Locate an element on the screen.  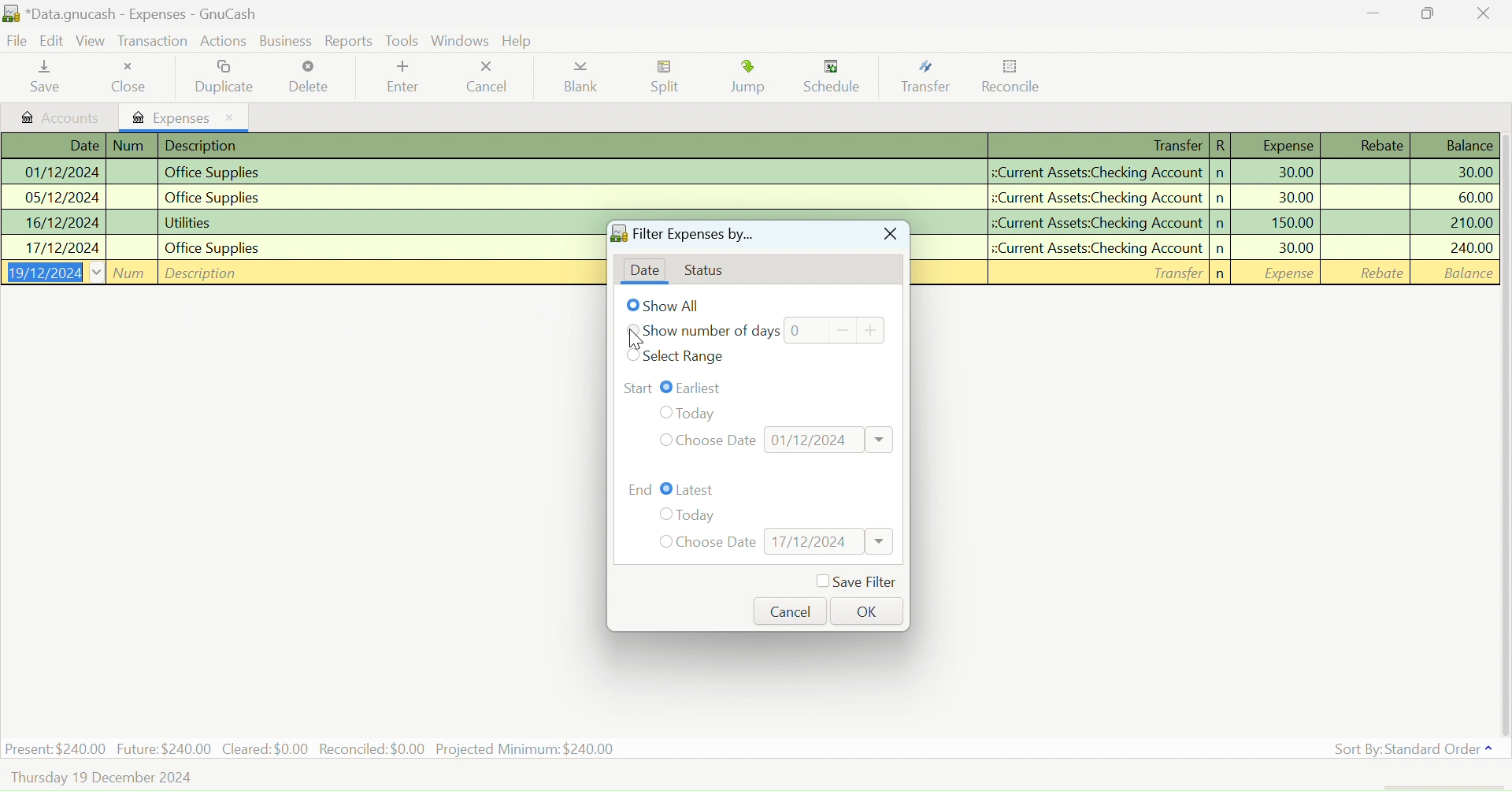
Utilities Transaction is located at coordinates (1210, 221).